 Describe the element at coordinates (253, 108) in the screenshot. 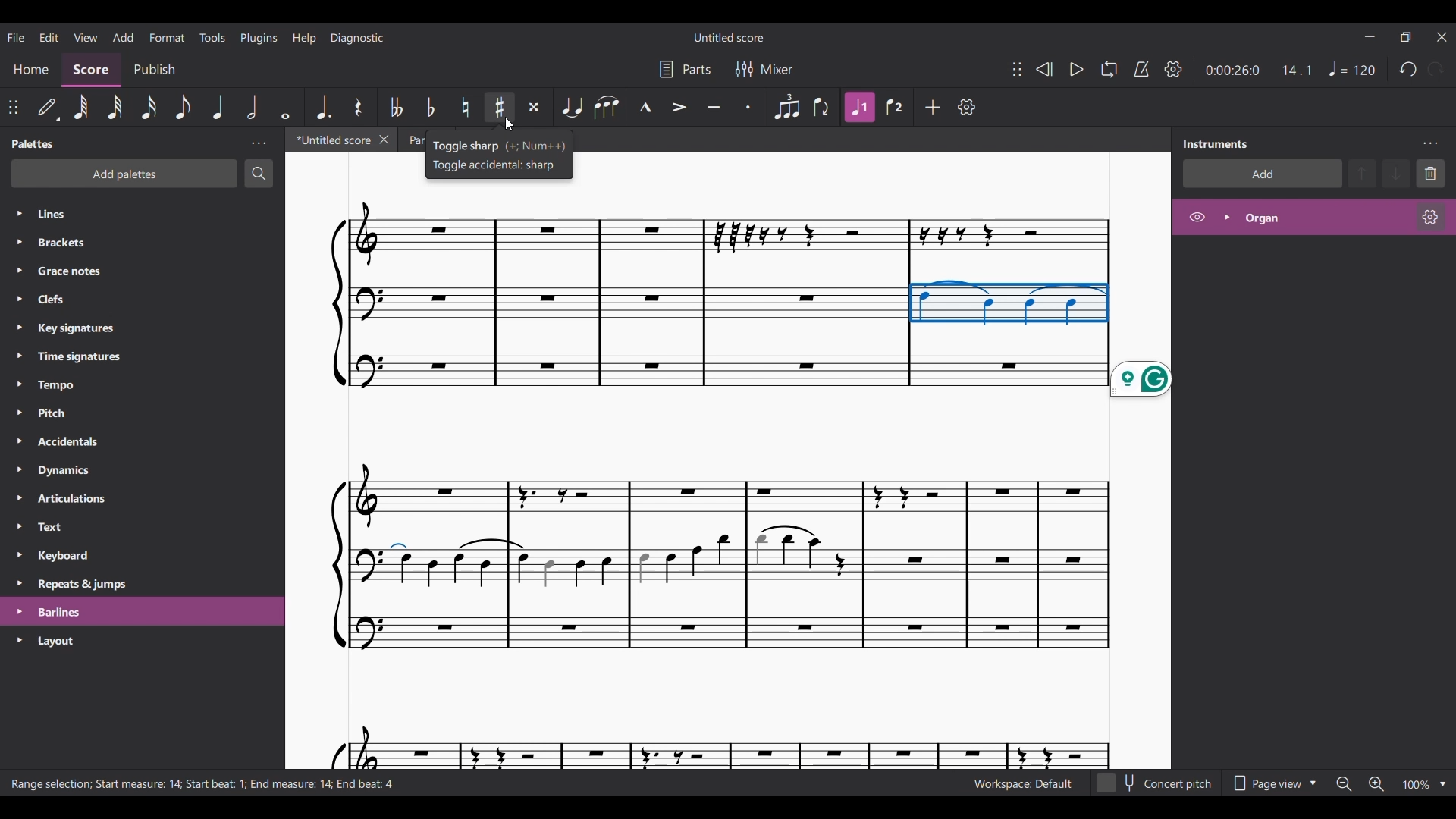

I see `Half note` at that location.